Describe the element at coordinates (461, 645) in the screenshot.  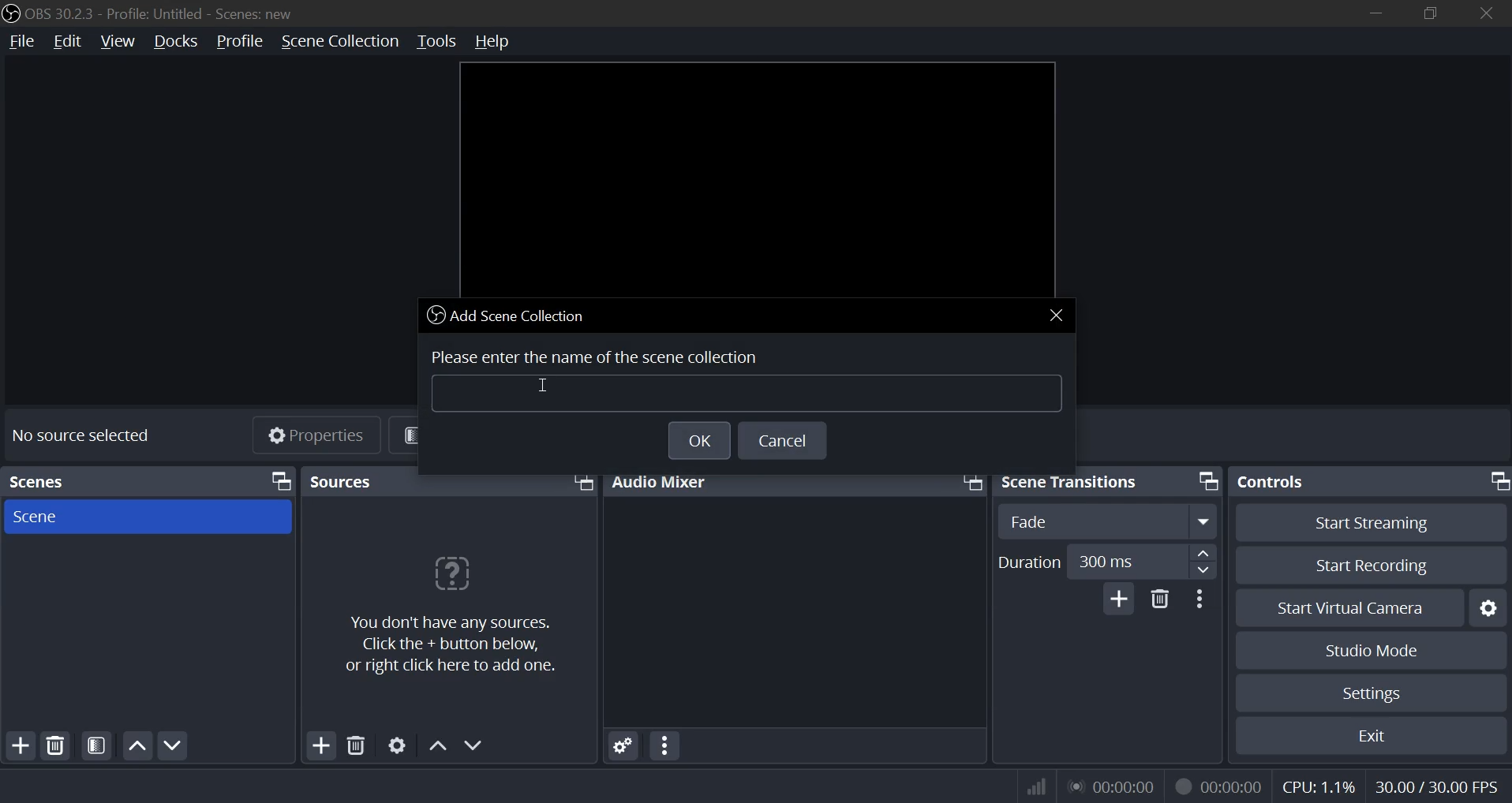
I see `You don't have any sources.
Click the + button below,
or right click here to add one.` at that location.